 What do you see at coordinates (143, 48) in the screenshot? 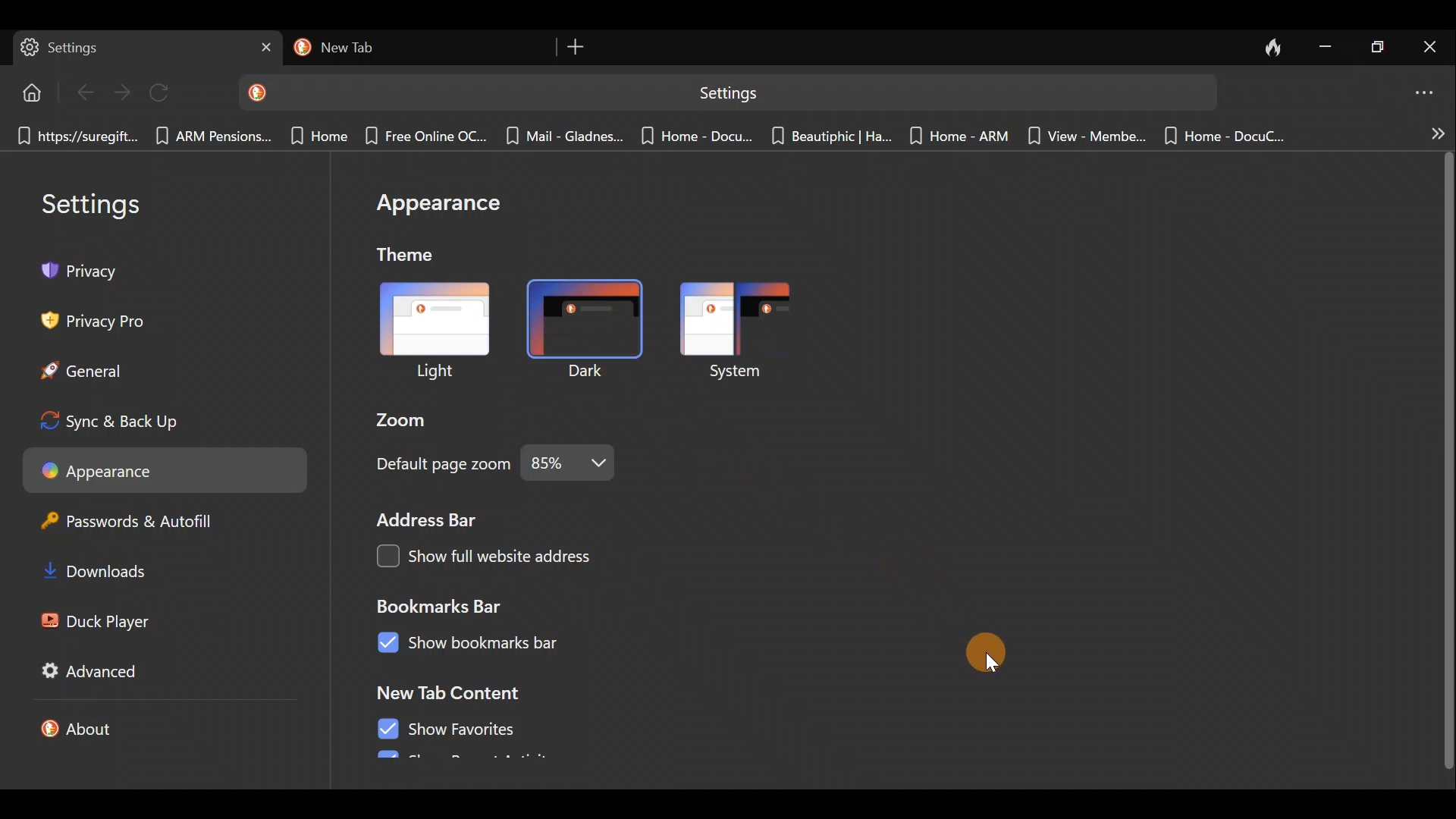
I see `Tab 1 ` at bounding box center [143, 48].